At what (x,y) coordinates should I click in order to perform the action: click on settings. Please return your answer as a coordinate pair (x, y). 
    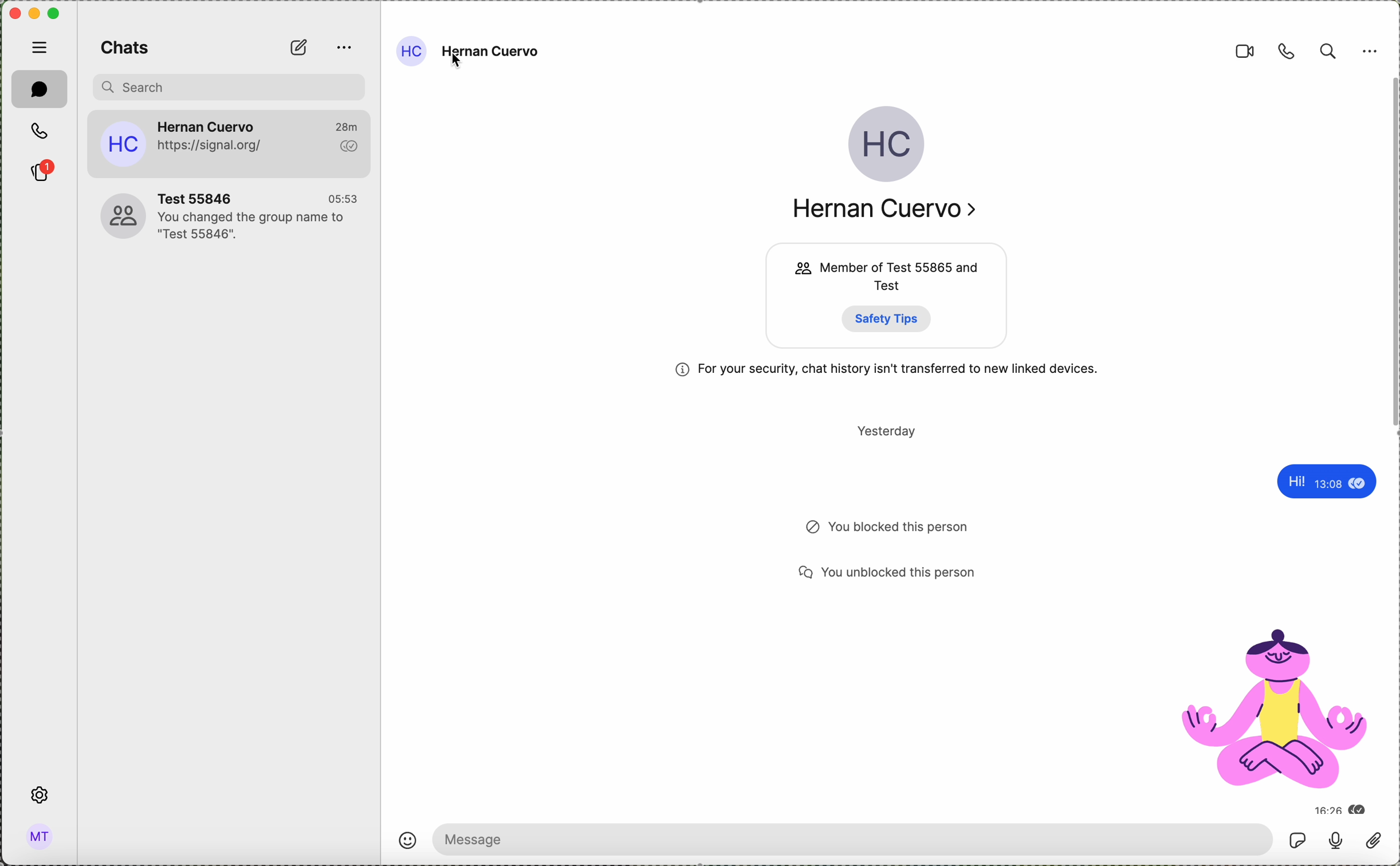
    Looking at the image, I should click on (38, 795).